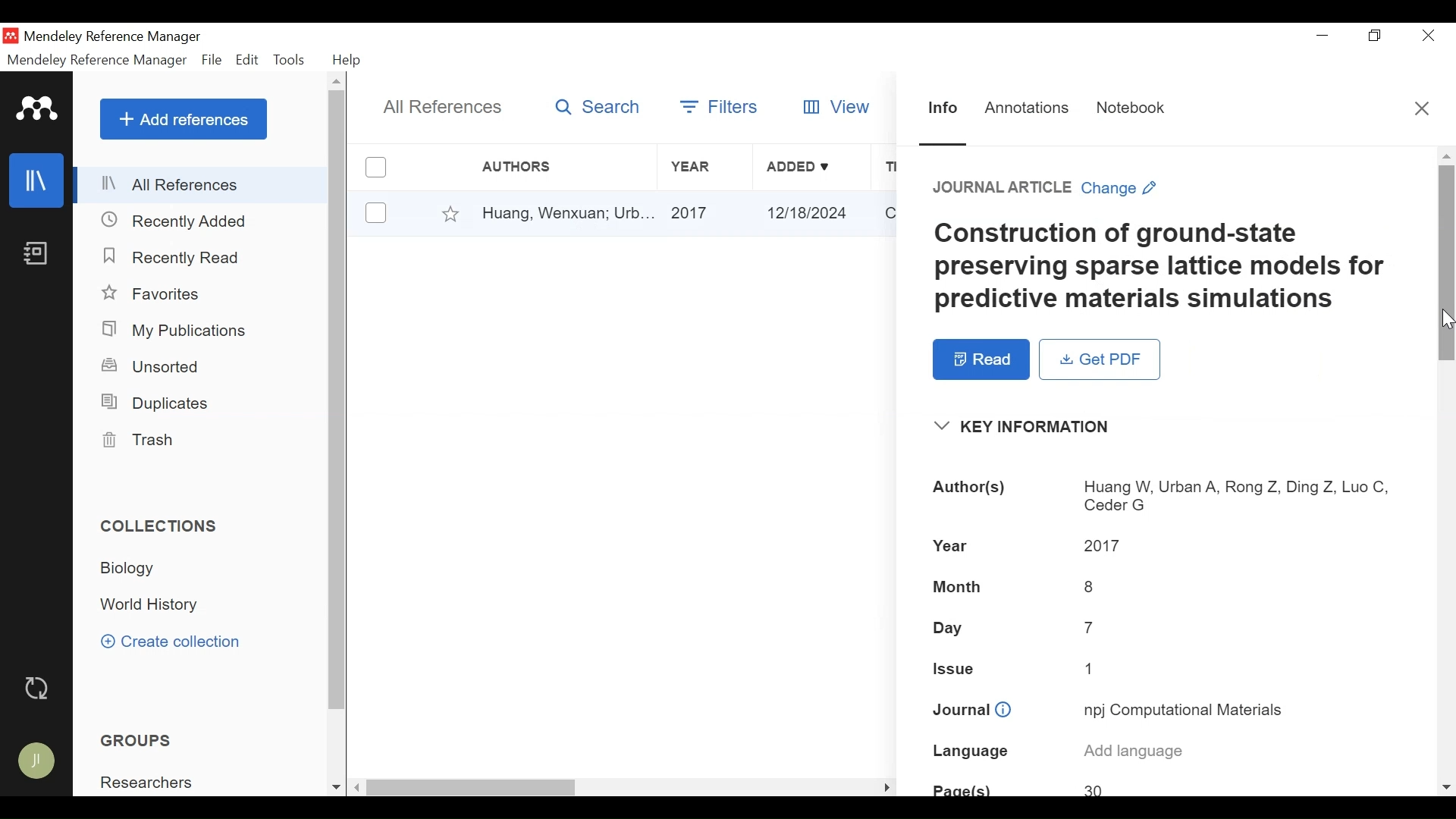  I want to click on Trash, so click(146, 440).